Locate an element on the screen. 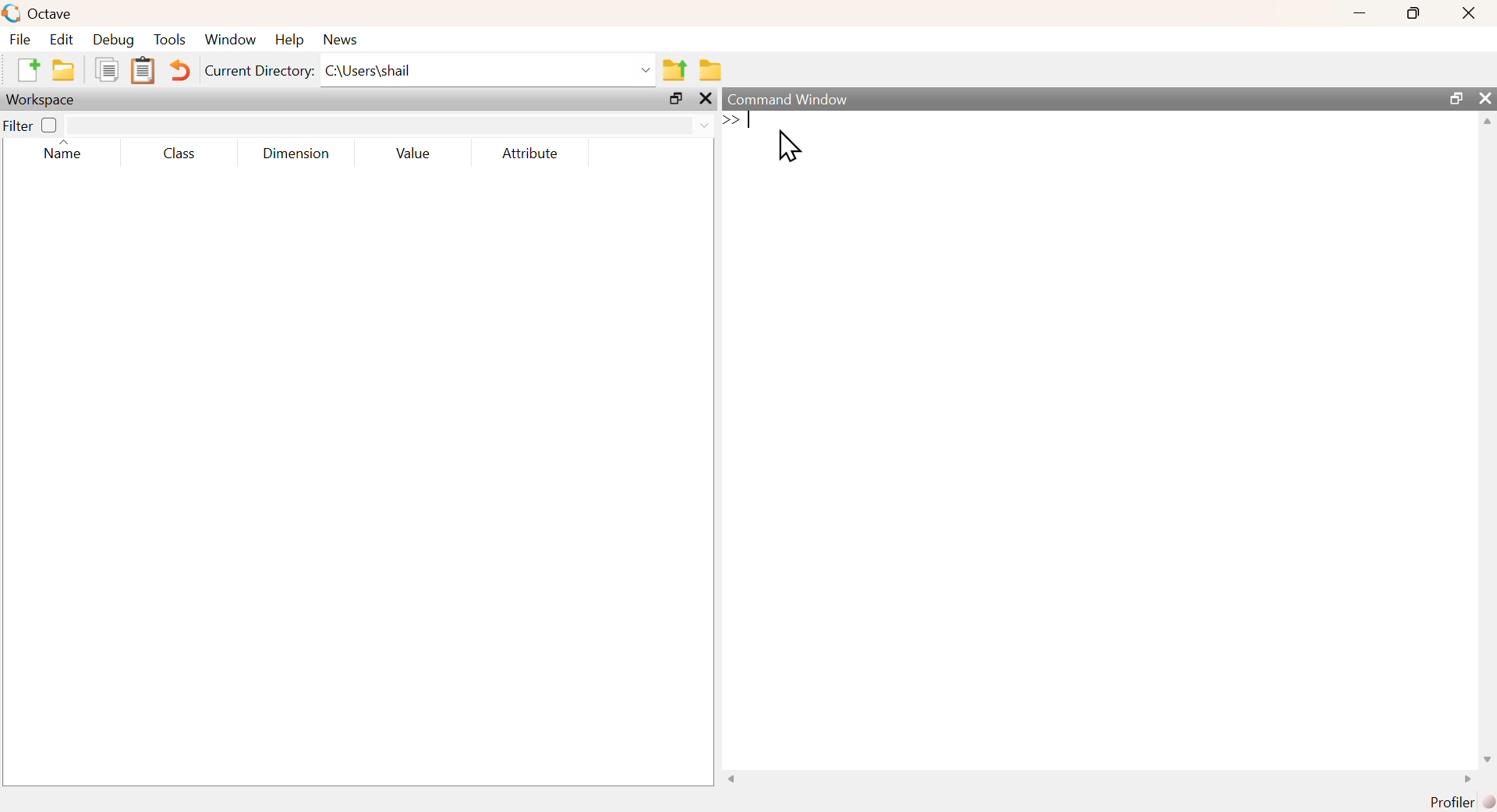 The image size is (1497, 812). ‘Window is located at coordinates (228, 41).